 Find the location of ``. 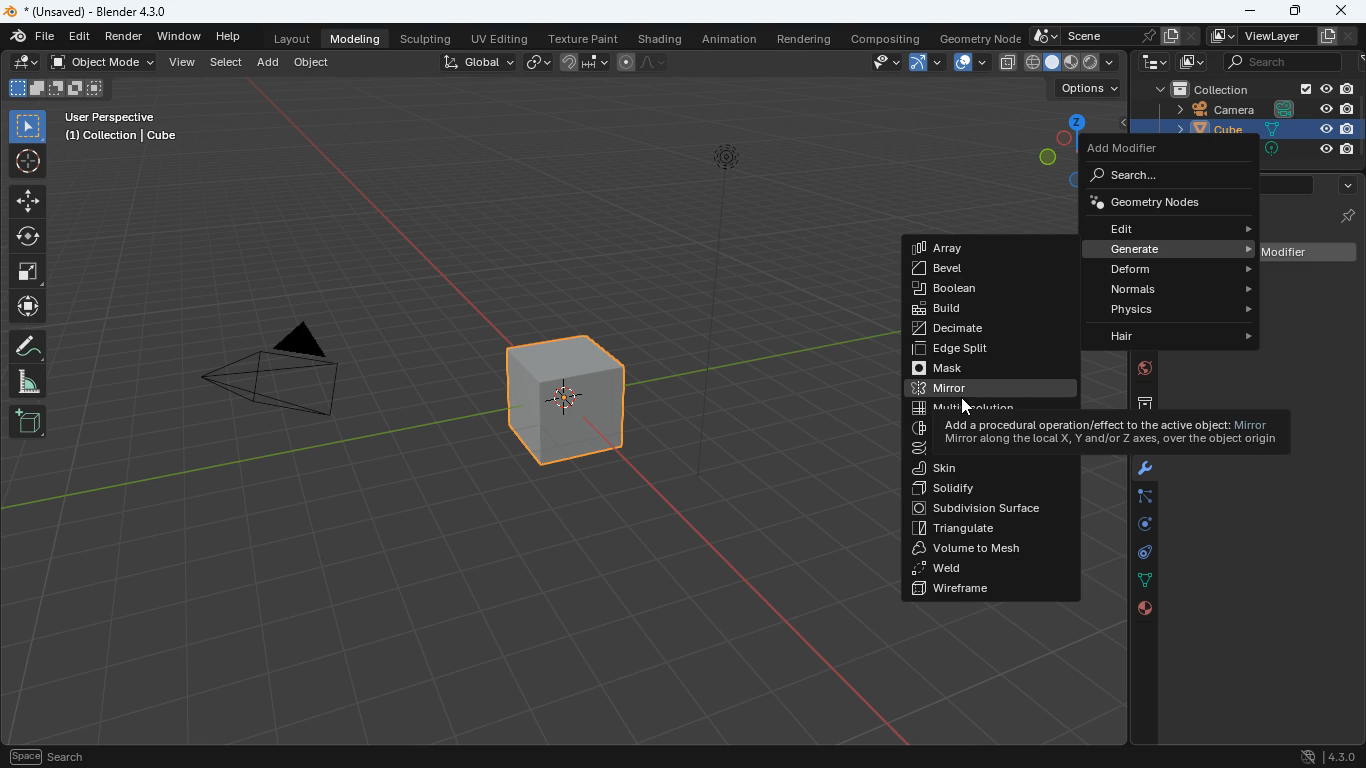

 is located at coordinates (1345, 214).